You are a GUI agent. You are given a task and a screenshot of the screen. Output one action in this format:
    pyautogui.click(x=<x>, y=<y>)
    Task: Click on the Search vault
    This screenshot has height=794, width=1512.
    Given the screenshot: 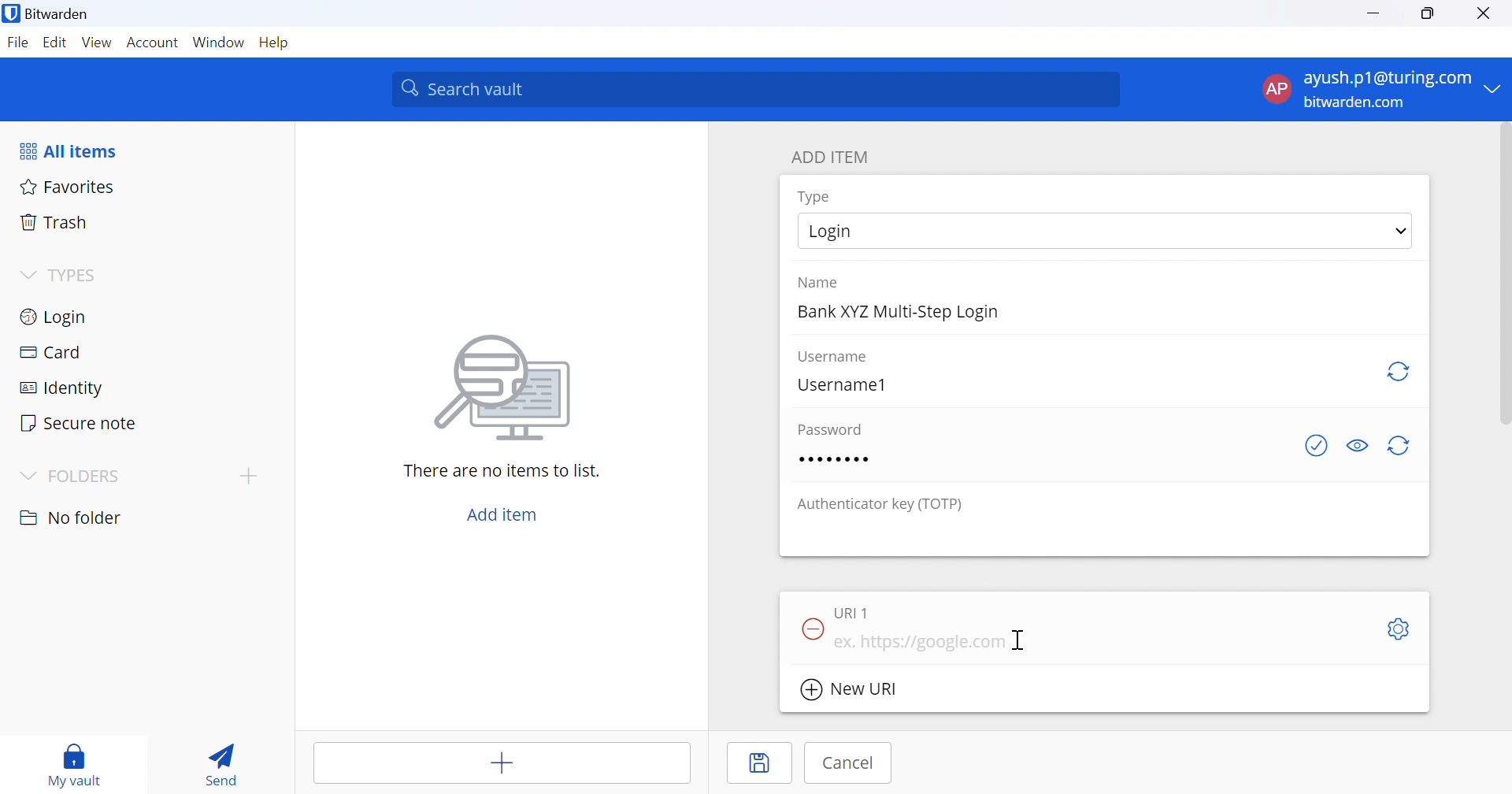 What is the action you would take?
    pyautogui.click(x=758, y=89)
    